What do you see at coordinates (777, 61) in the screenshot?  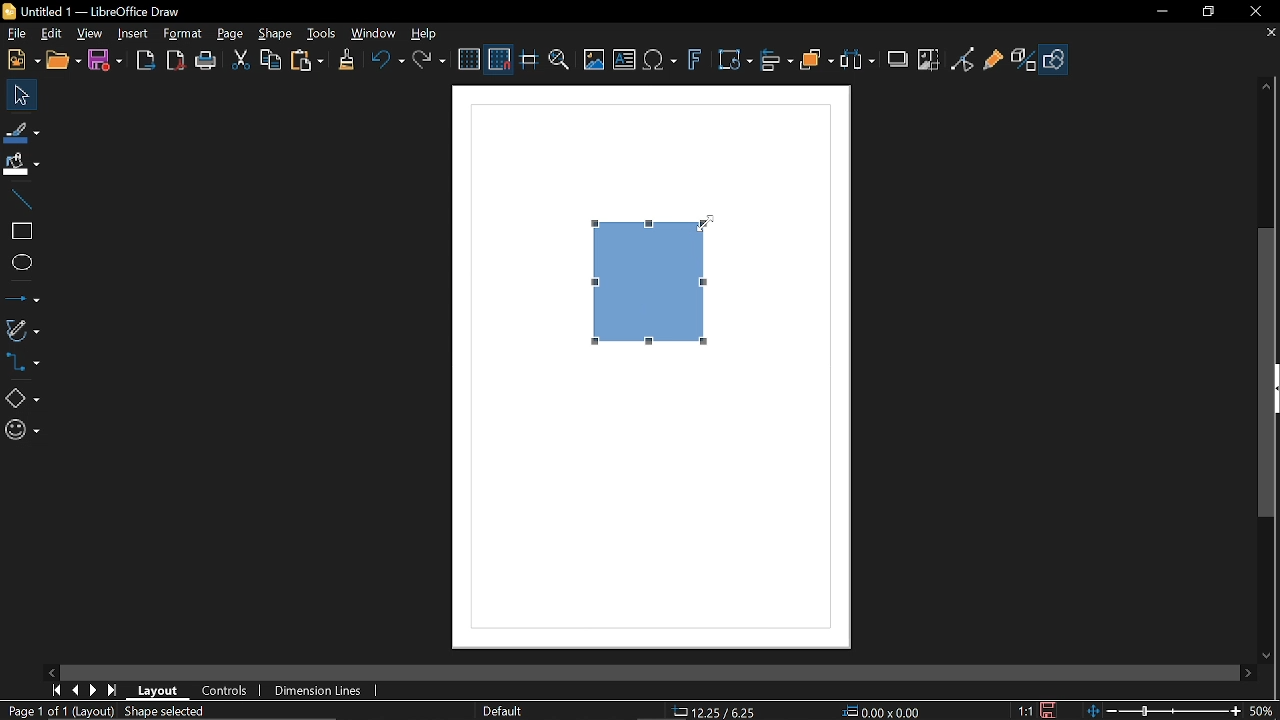 I see `Align objects` at bounding box center [777, 61].